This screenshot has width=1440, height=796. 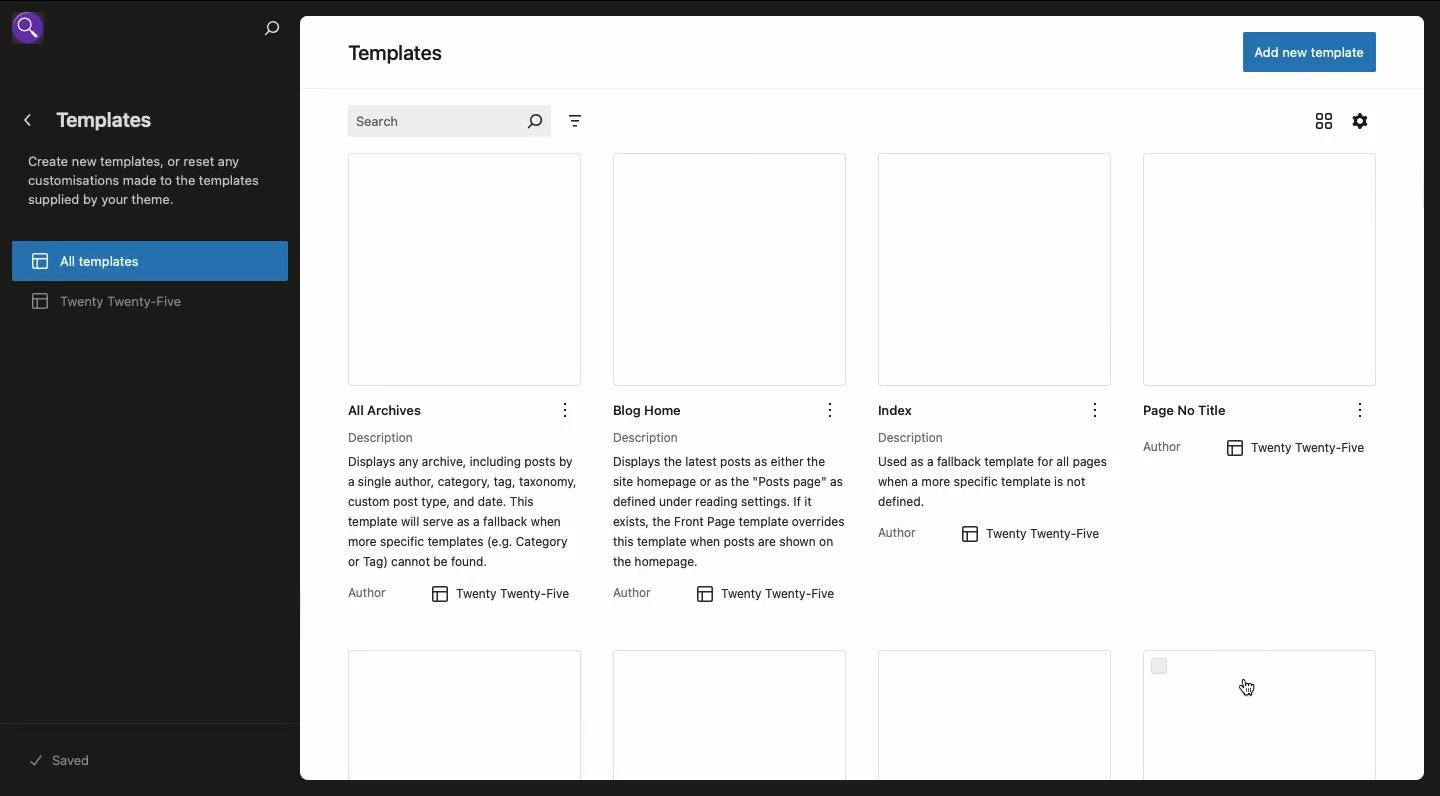 I want to click on All archives, so click(x=410, y=286).